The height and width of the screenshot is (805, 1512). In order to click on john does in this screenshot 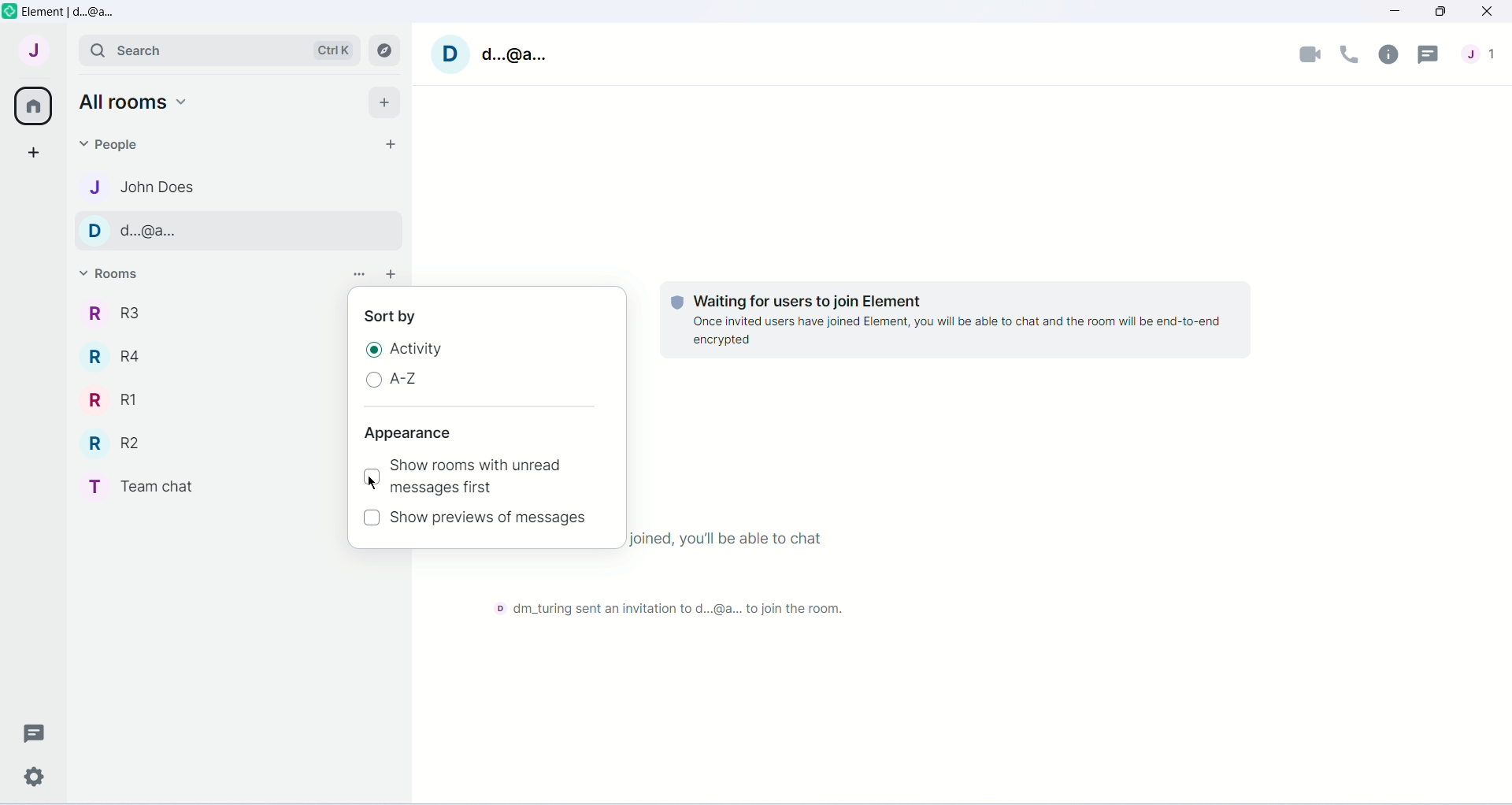, I will do `click(154, 189)`.